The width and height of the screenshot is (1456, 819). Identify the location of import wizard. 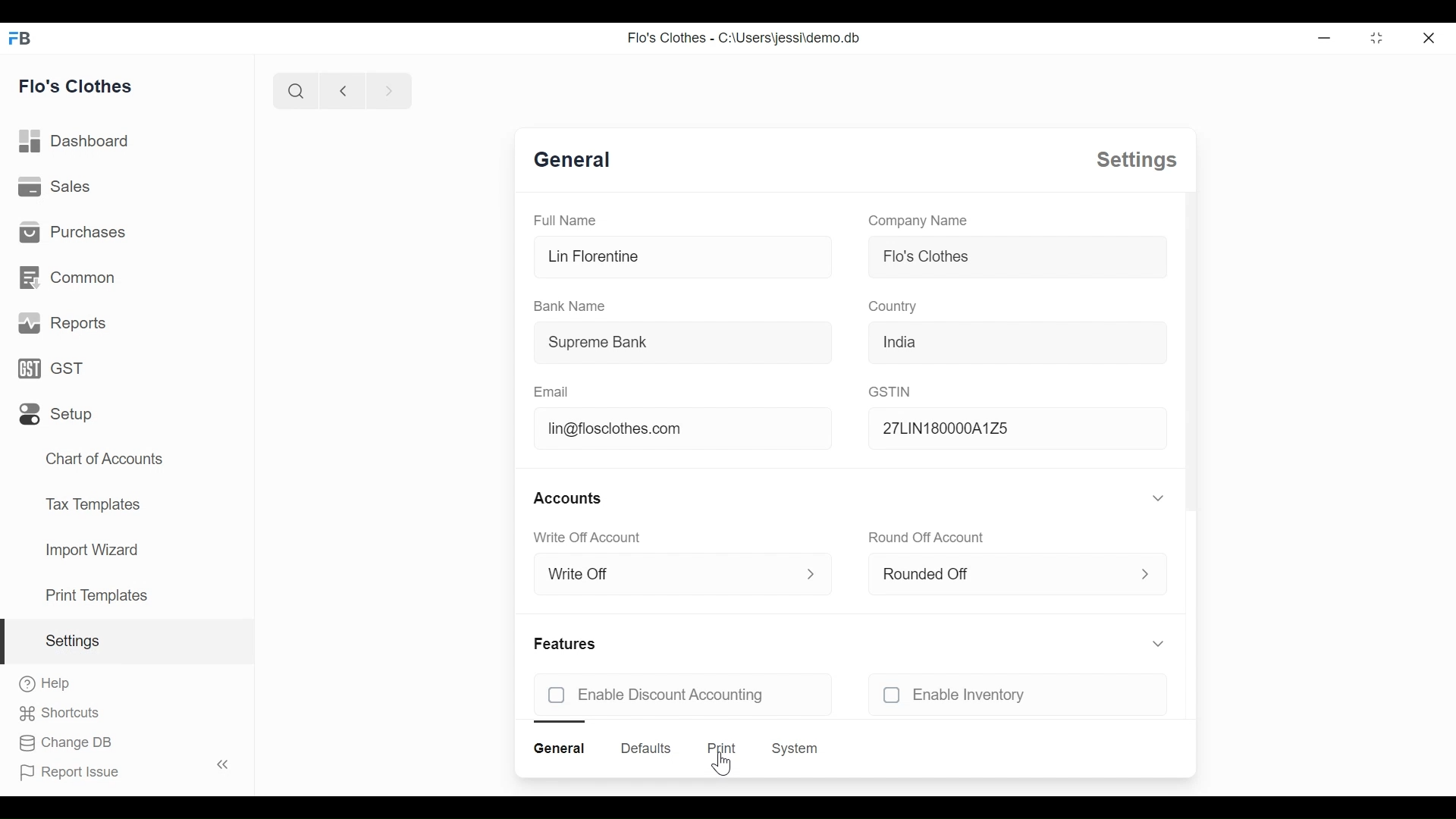
(91, 550).